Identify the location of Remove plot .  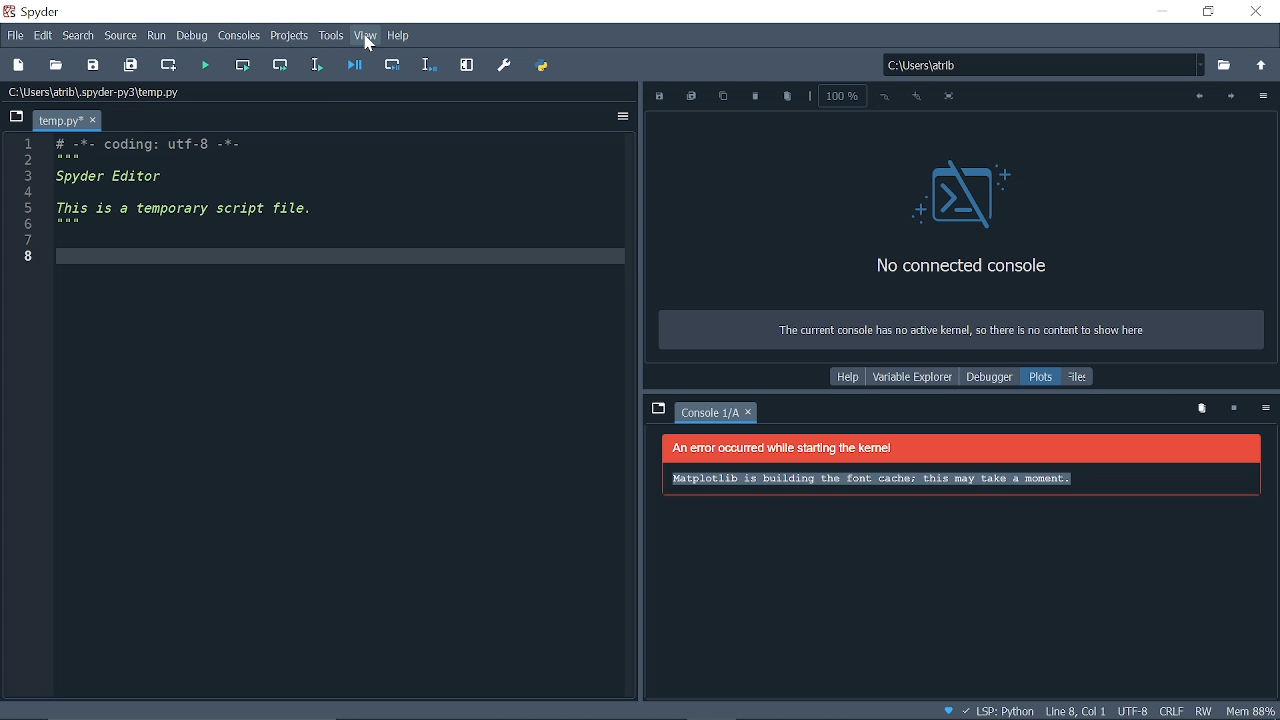
(755, 97).